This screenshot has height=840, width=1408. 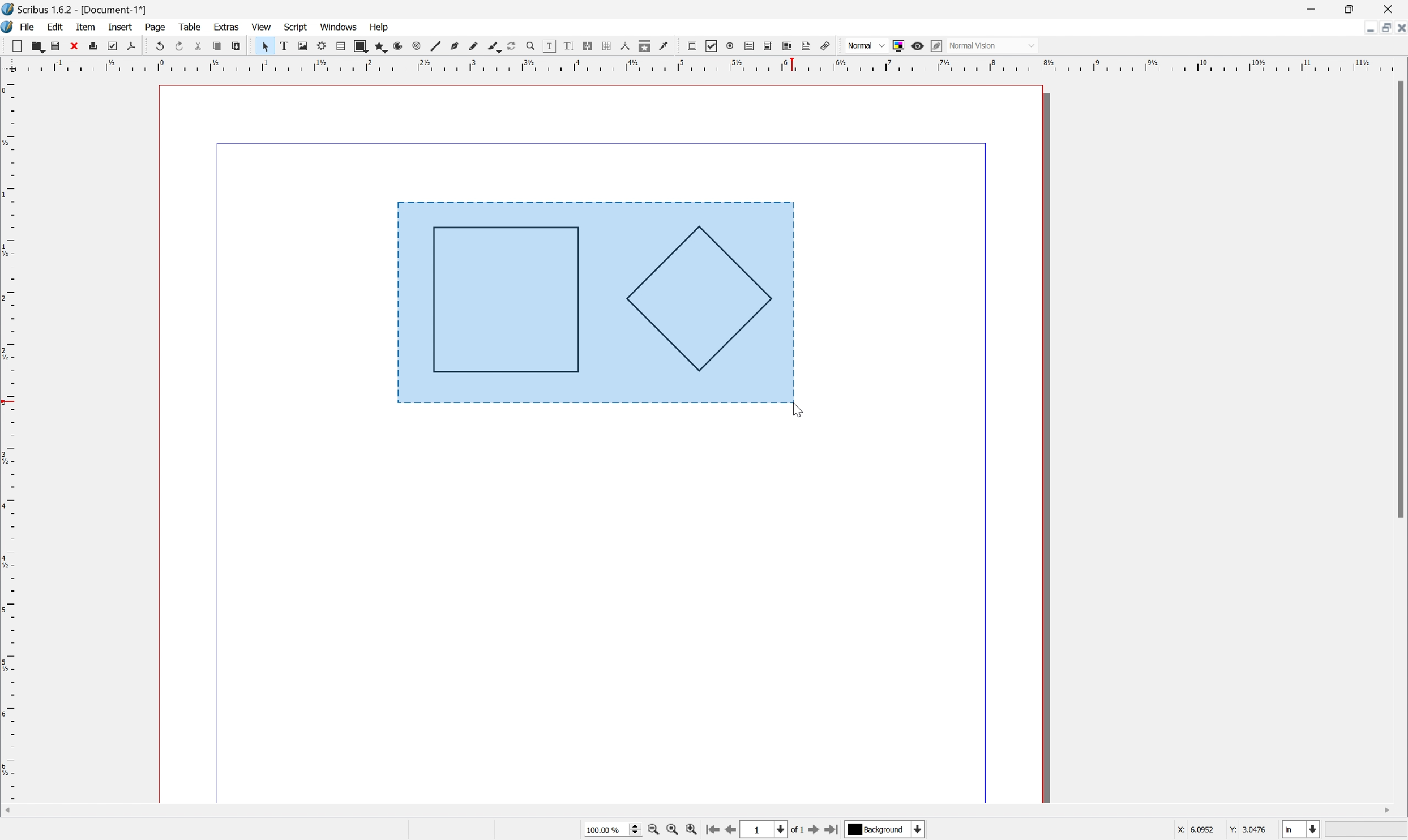 I want to click on arc, so click(x=394, y=45).